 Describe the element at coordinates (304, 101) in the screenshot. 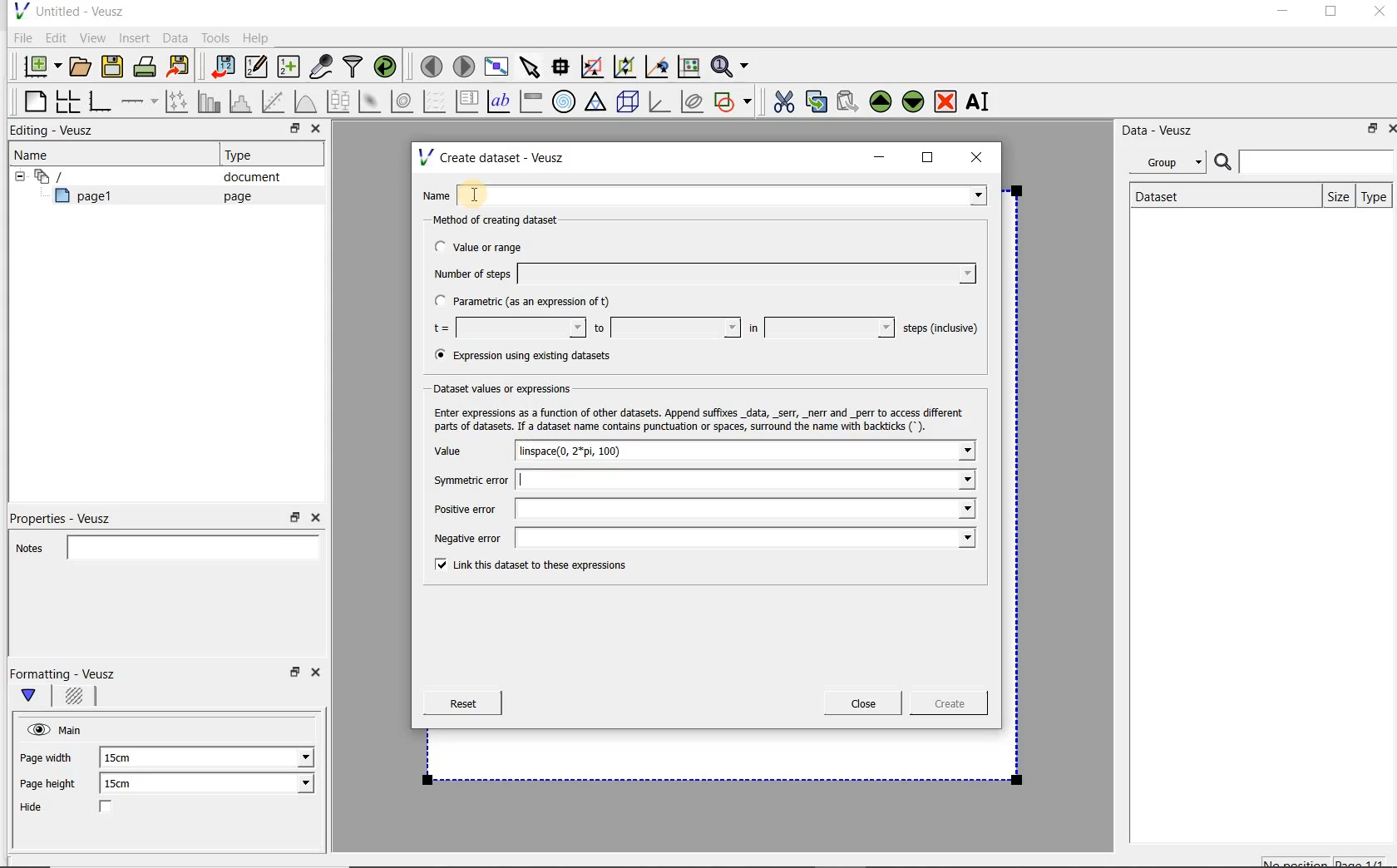

I see `plot a function` at that location.